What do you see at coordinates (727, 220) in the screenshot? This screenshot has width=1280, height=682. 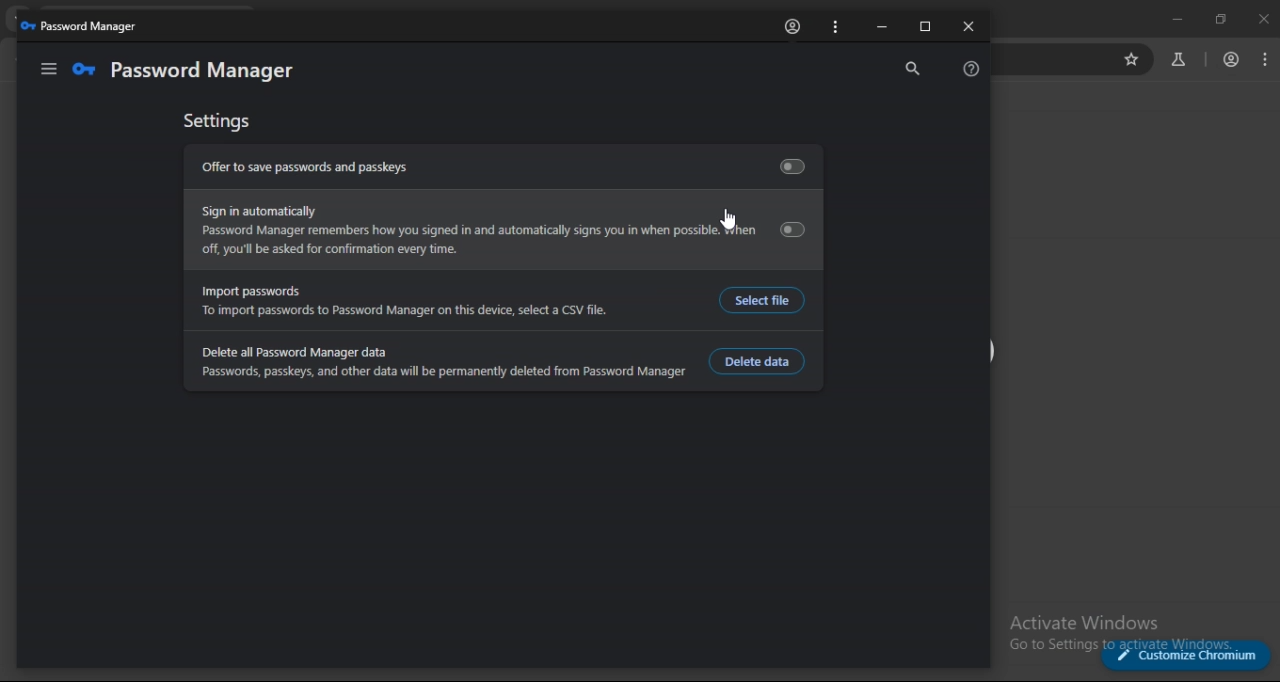 I see `cursor` at bounding box center [727, 220].